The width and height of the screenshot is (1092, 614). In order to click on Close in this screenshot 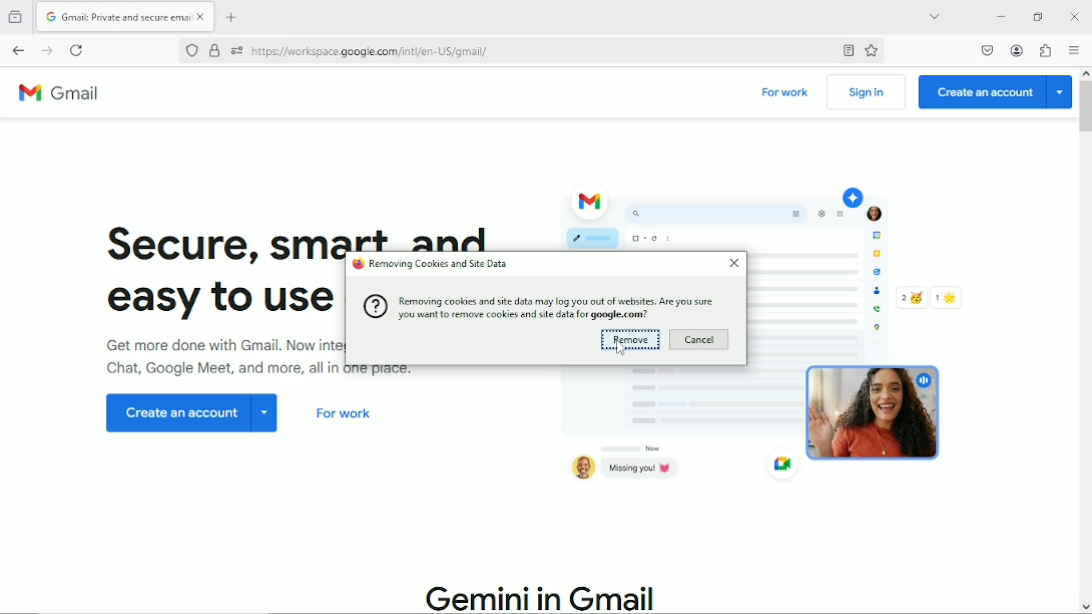, I will do `click(1074, 16)`.